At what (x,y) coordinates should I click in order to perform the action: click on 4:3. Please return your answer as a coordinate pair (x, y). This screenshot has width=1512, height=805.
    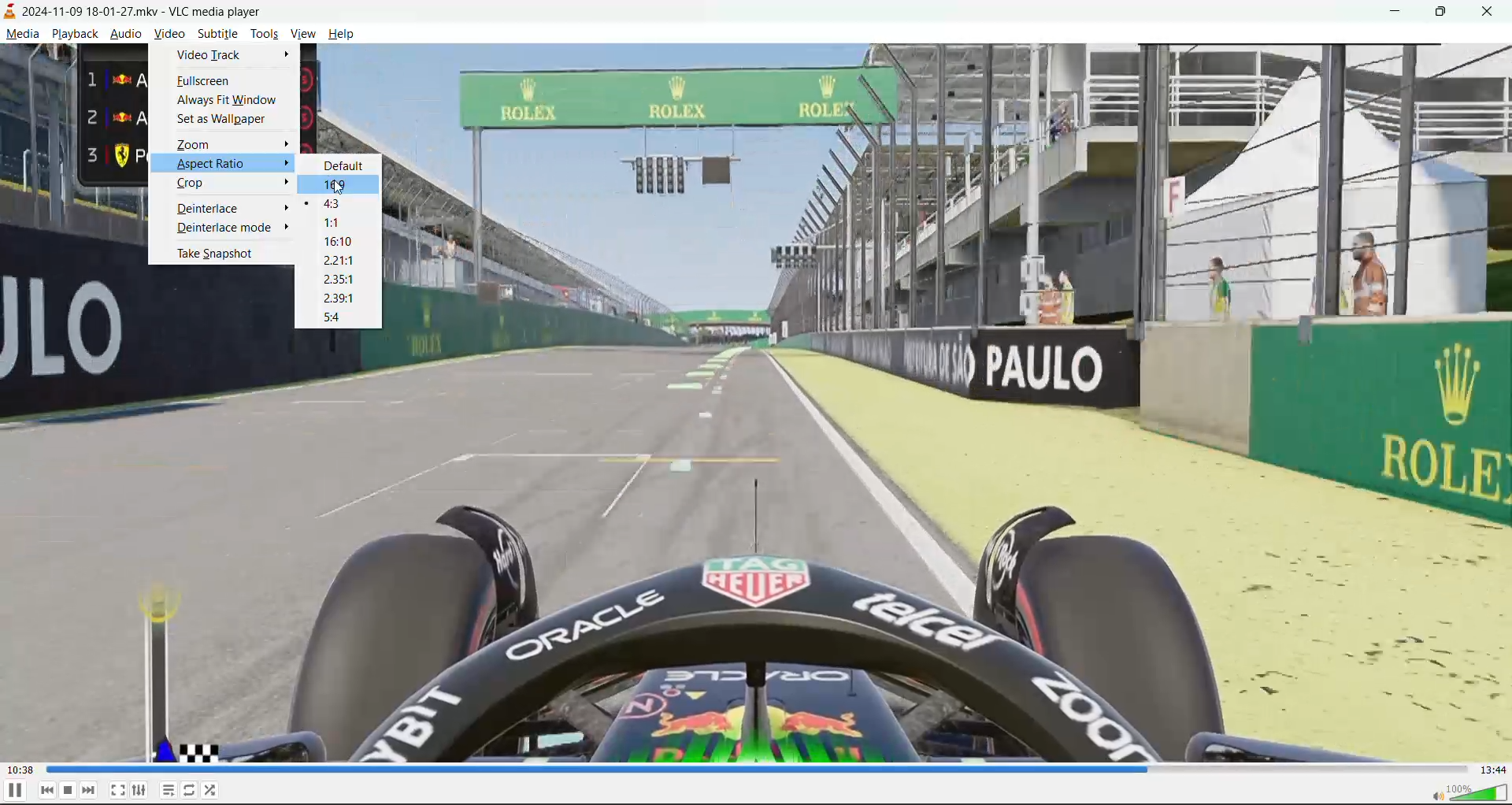
    Looking at the image, I should click on (340, 209).